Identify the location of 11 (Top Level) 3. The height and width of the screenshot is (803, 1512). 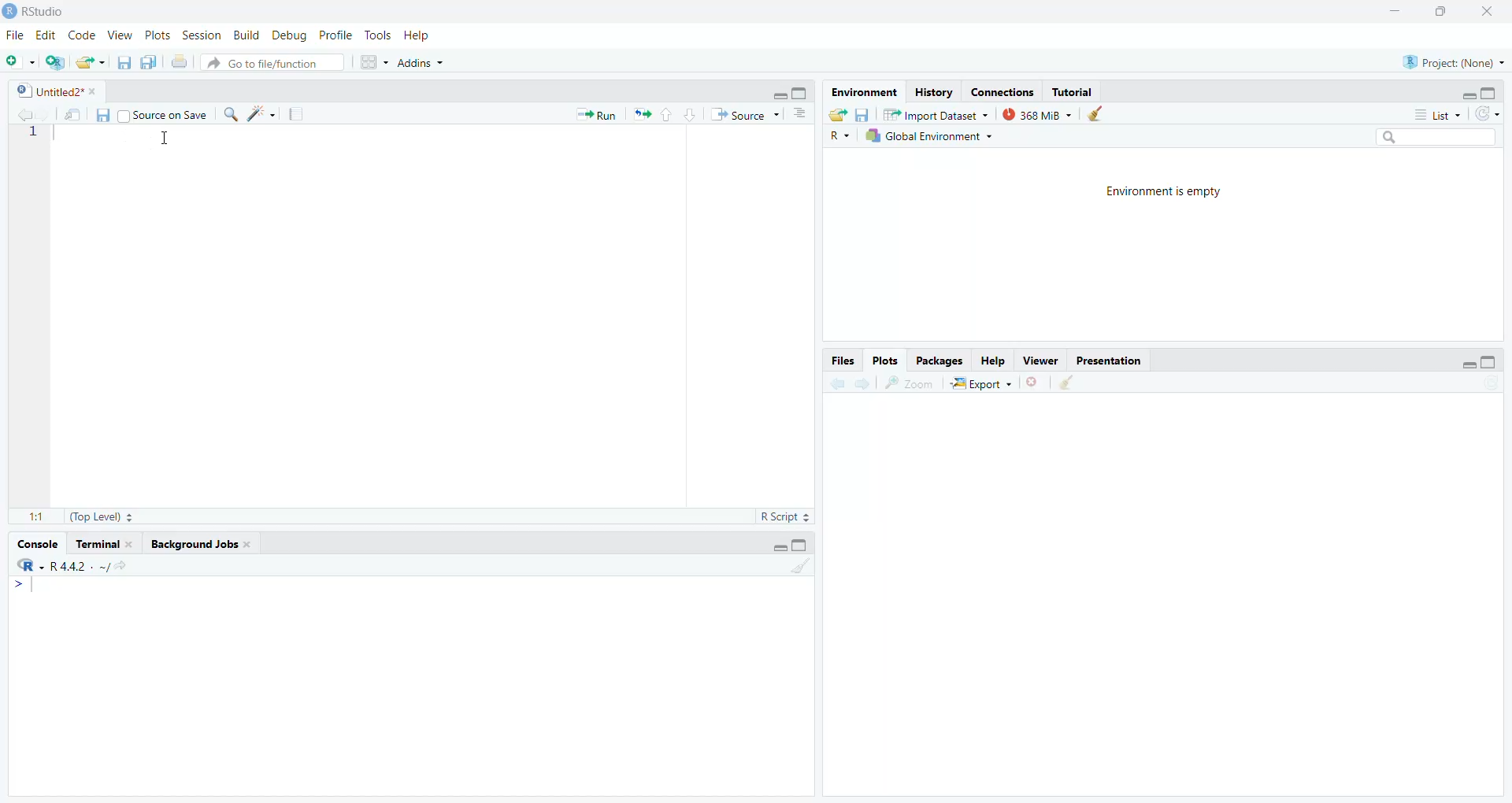
(88, 517).